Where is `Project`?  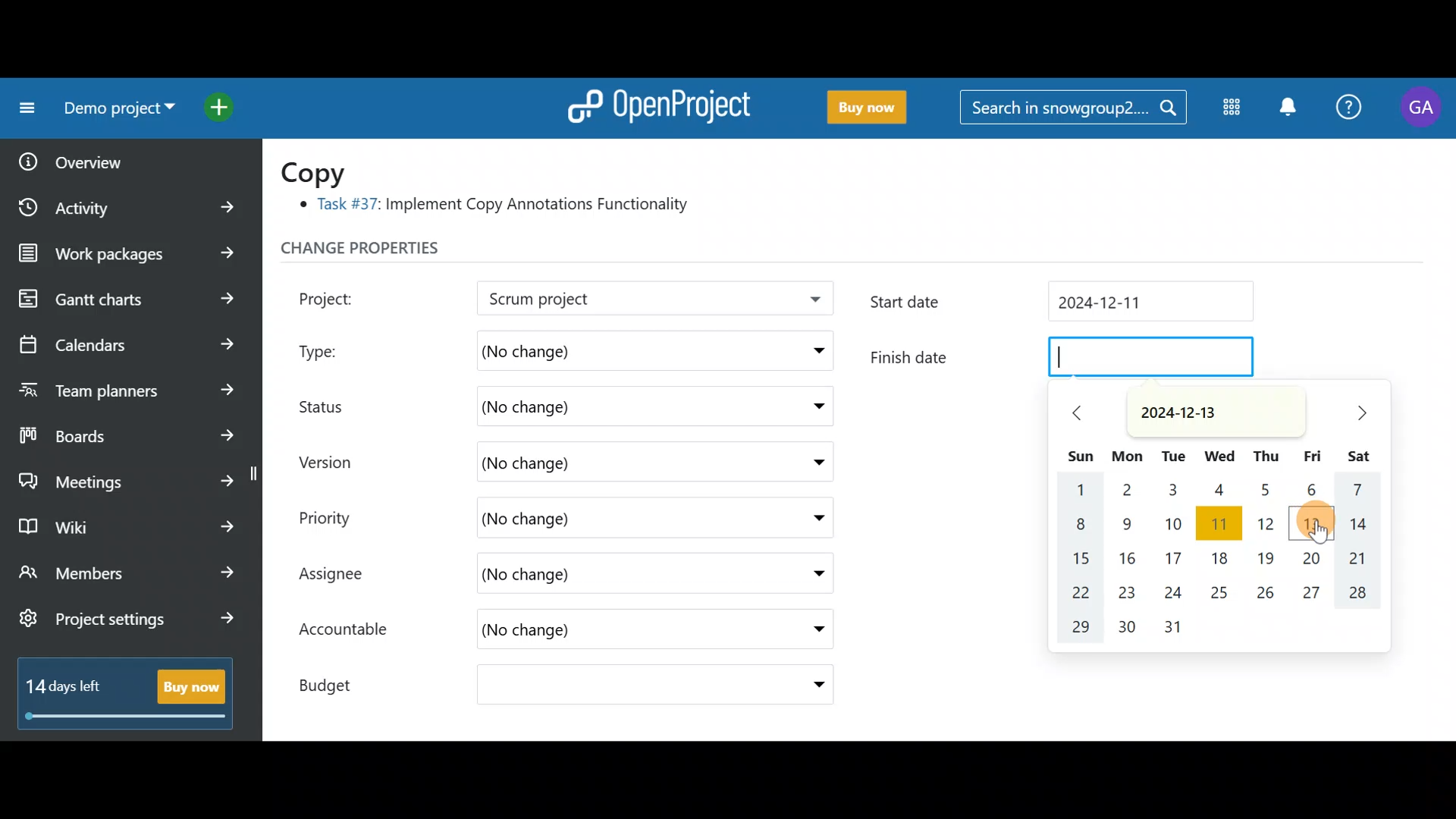 Project is located at coordinates (345, 297).